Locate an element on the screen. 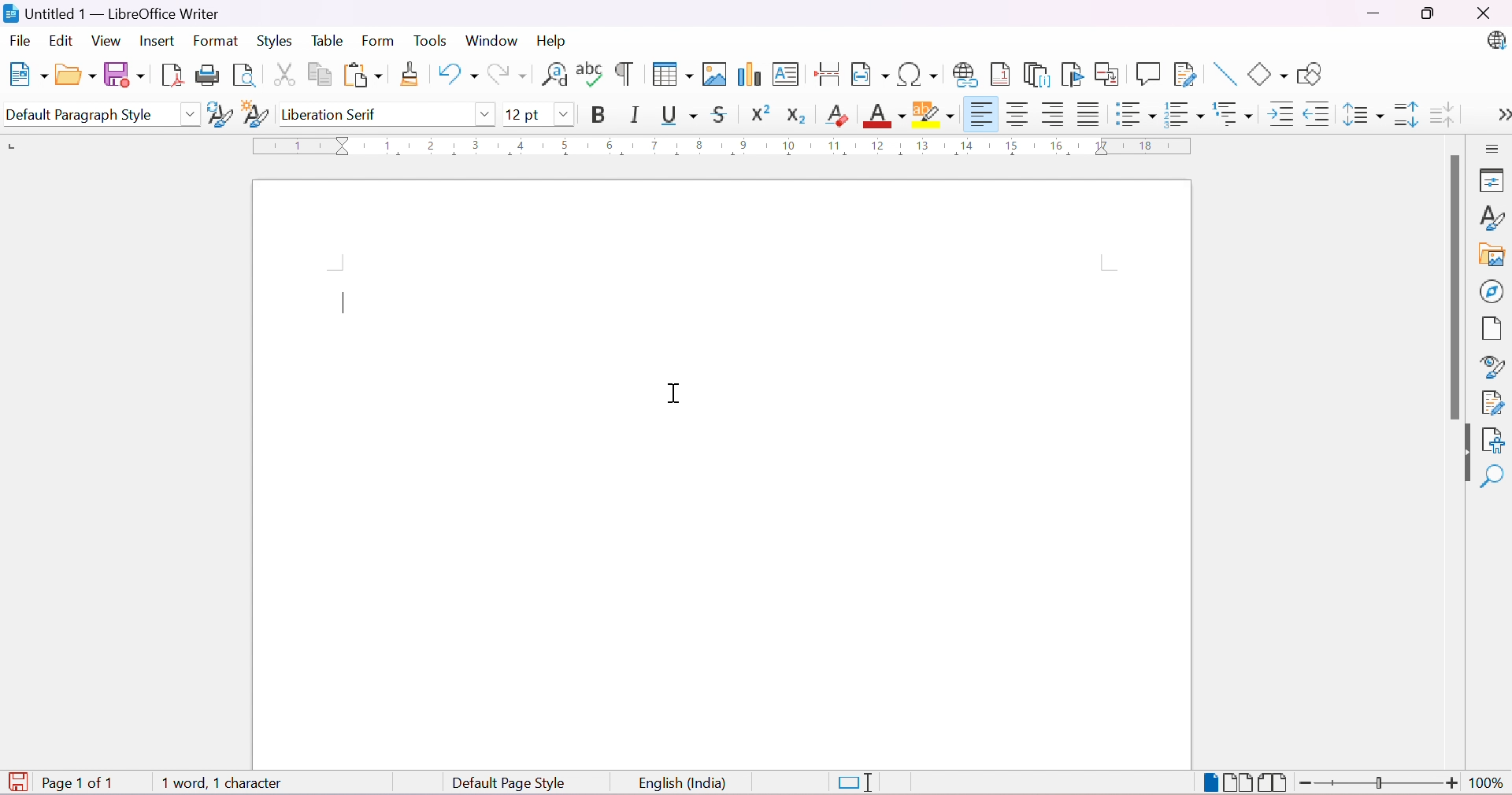 This screenshot has height=795, width=1512. Ruler is located at coordinates (724, 146).